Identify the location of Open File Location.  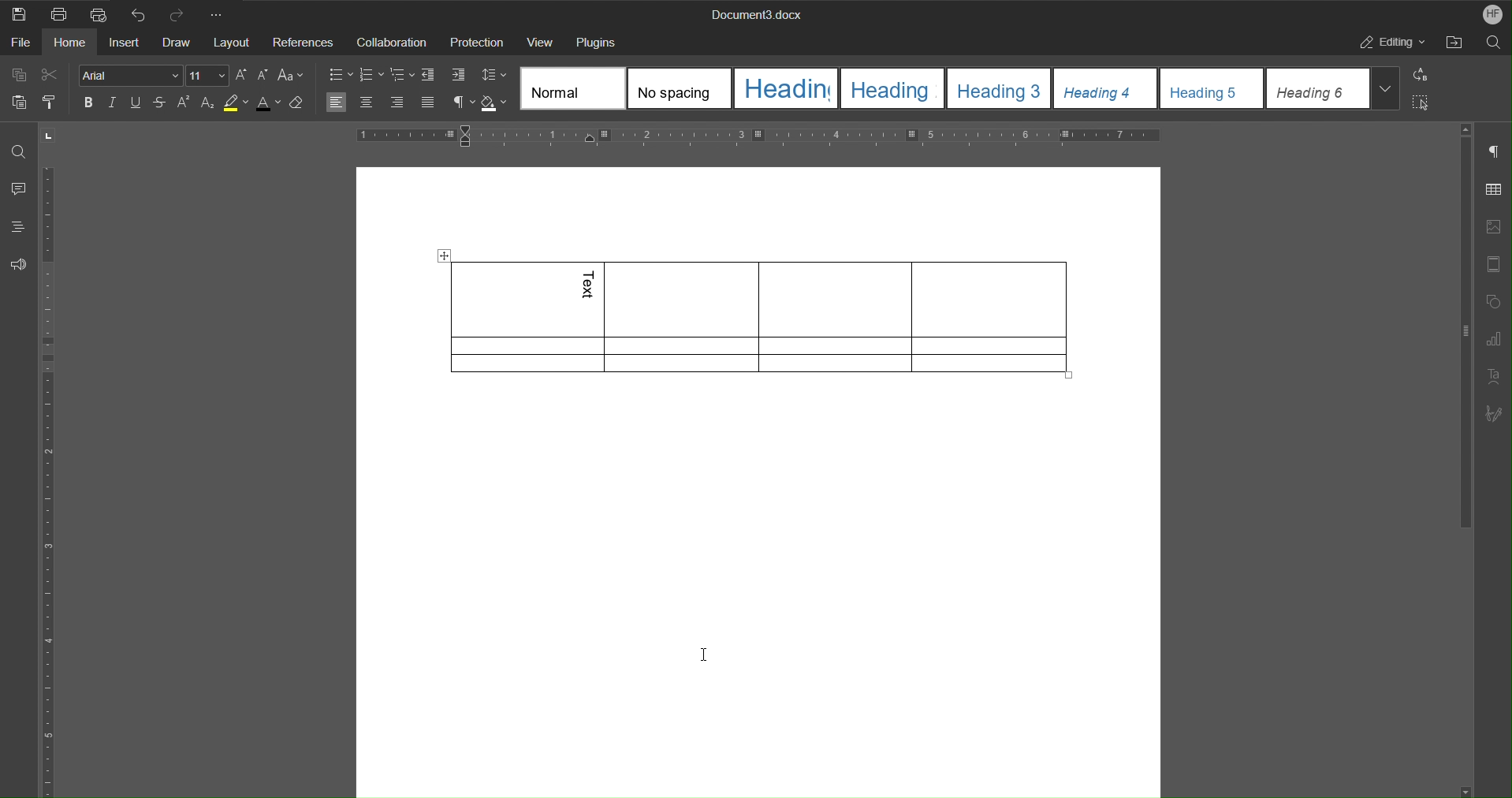
(1454, 42).